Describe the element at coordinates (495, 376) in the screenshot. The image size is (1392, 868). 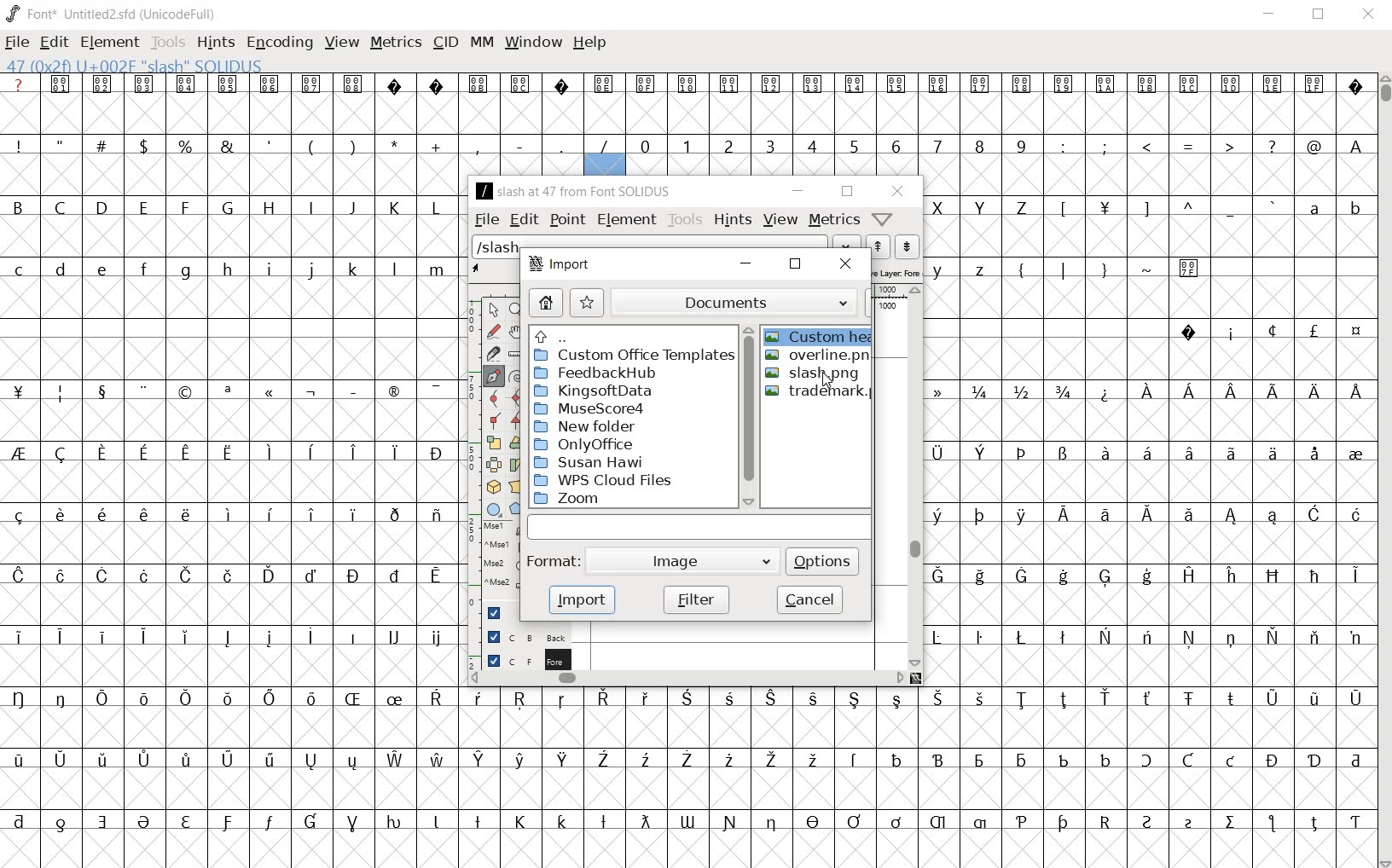
I see `add a point, then drag out its control points` at that location.